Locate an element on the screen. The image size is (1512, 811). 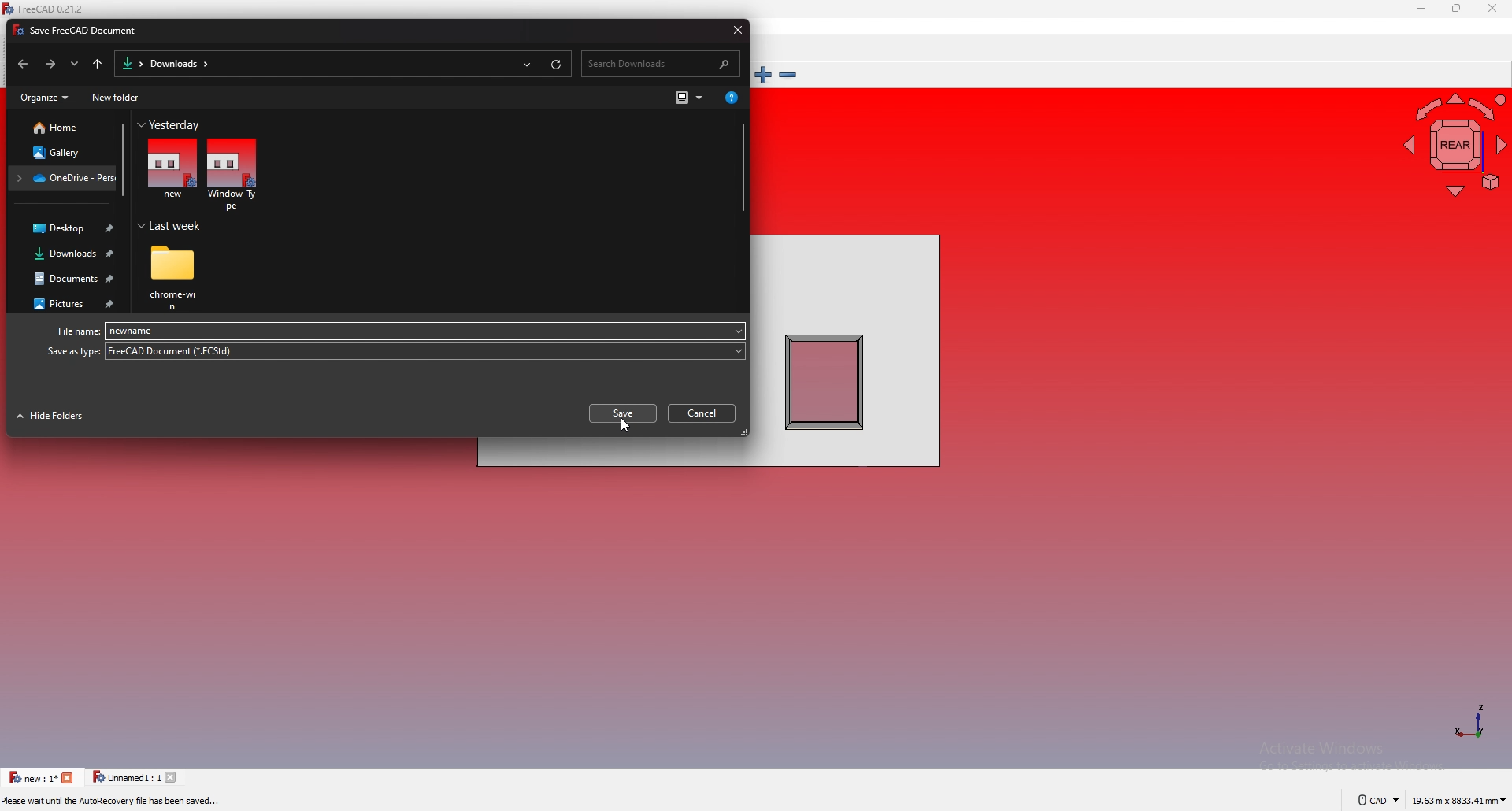
close is located at coordinates (736, 29).